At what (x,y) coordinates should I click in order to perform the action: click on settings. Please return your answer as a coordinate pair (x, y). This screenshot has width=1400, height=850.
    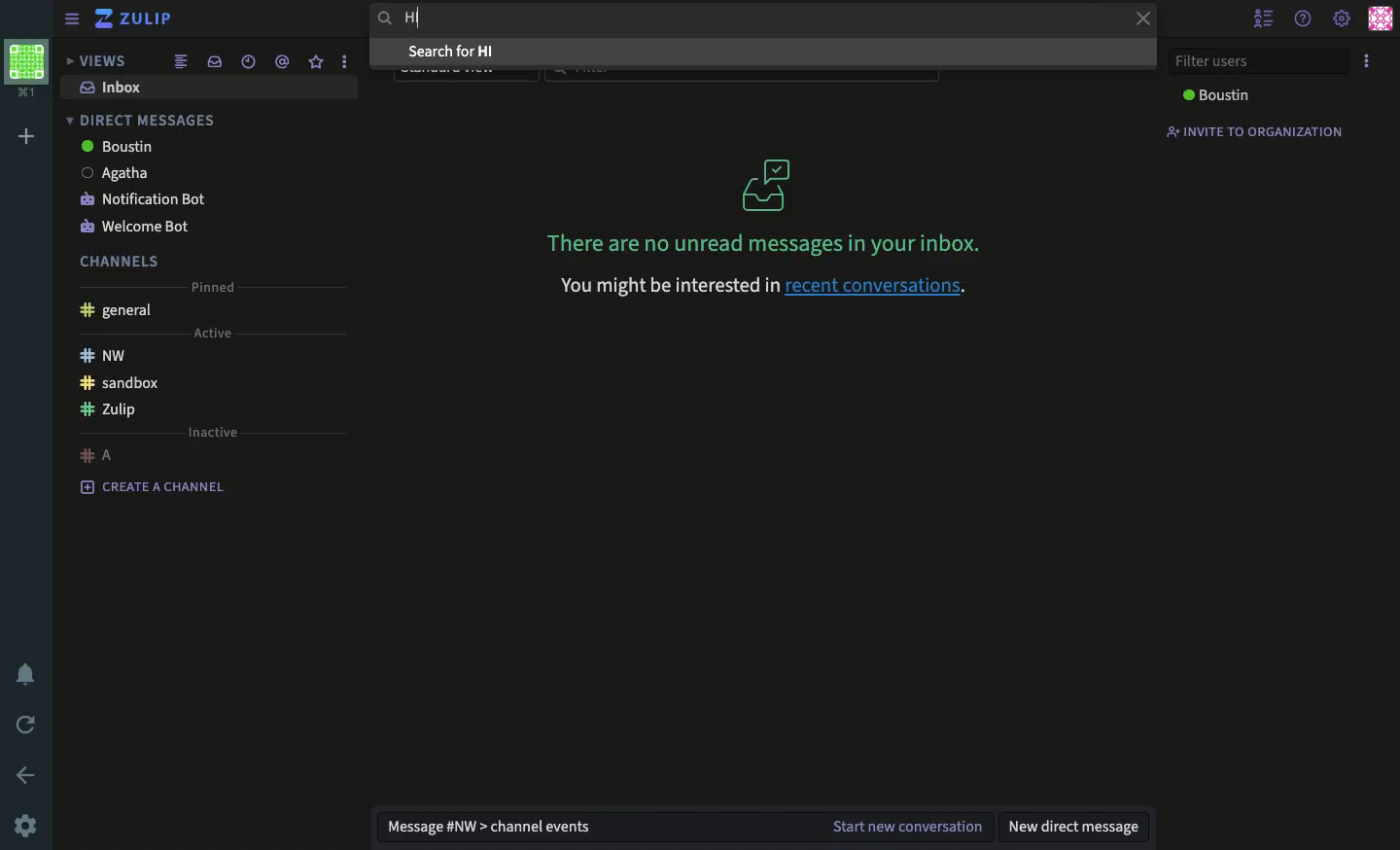
    Looking at the image, I should click on (1343, 18).